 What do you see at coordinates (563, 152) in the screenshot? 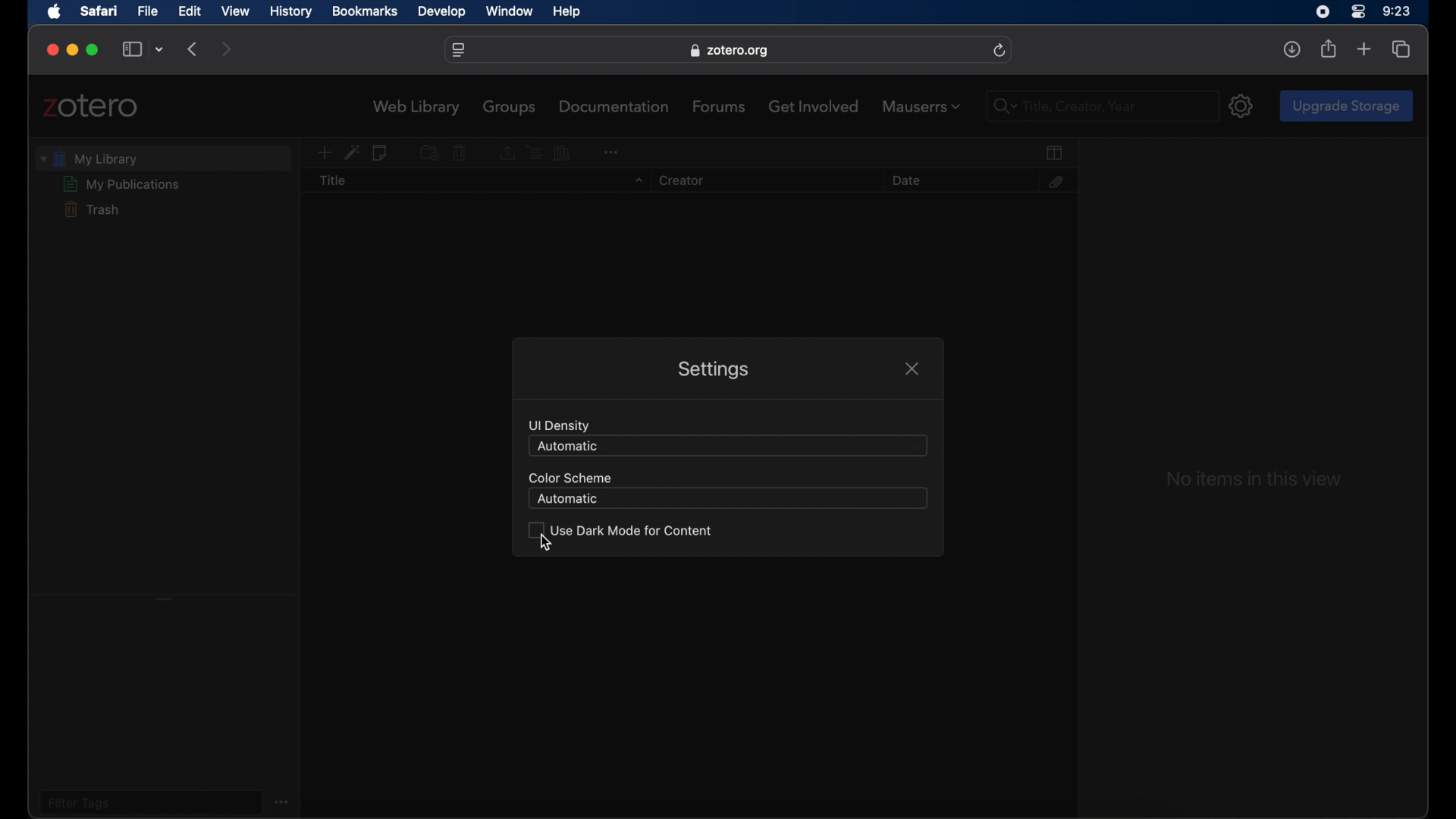
I see `create bibliography` at bounding box center [563, 152].